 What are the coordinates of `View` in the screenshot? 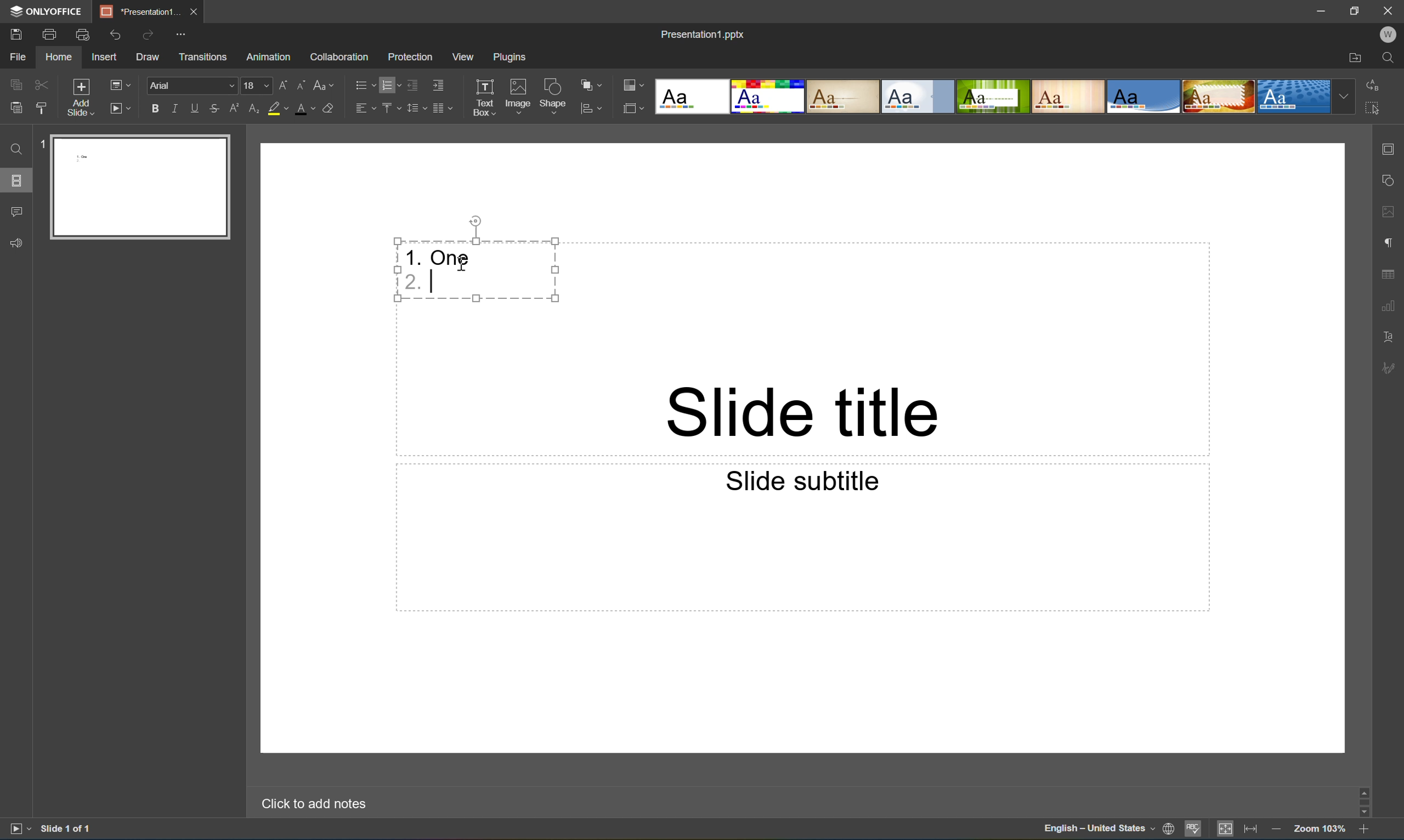 It's located at (464, 57).